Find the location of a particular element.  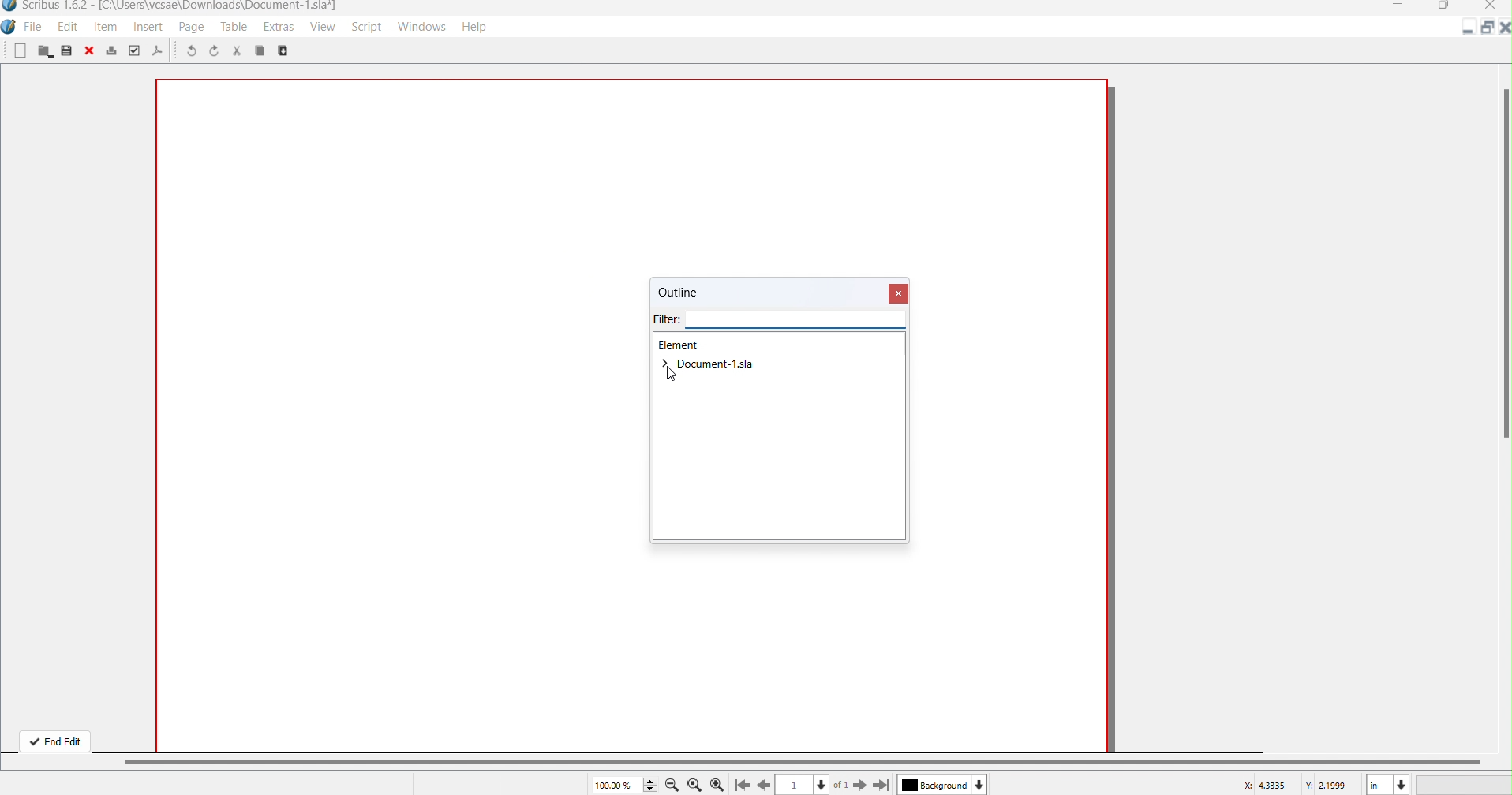

select inches is located at coordinates (1387, 784).